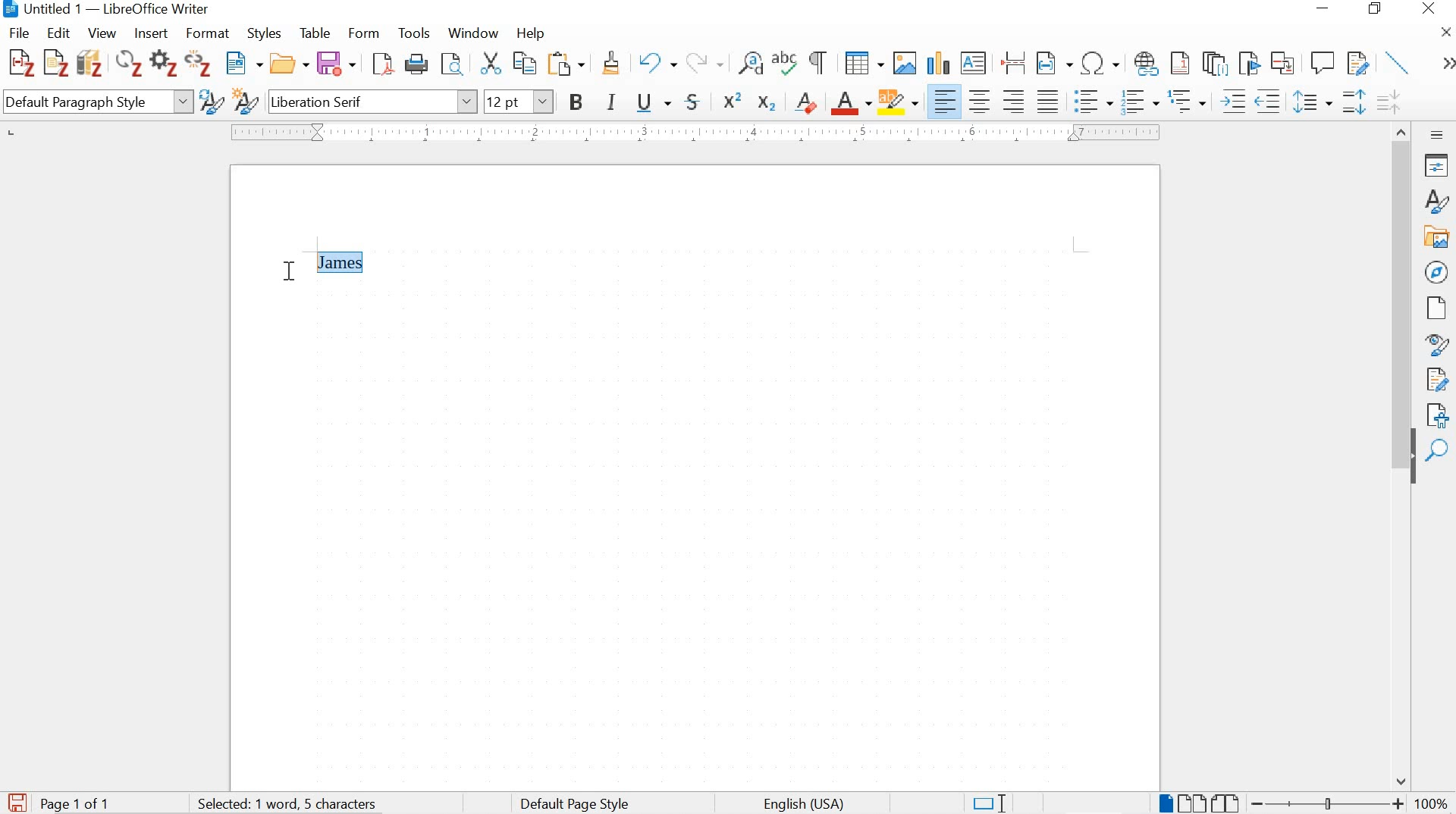  What do you see at coordinates (613, 65) in the screenshot?
I see `clone formatting` at bounding box center [613, 65].